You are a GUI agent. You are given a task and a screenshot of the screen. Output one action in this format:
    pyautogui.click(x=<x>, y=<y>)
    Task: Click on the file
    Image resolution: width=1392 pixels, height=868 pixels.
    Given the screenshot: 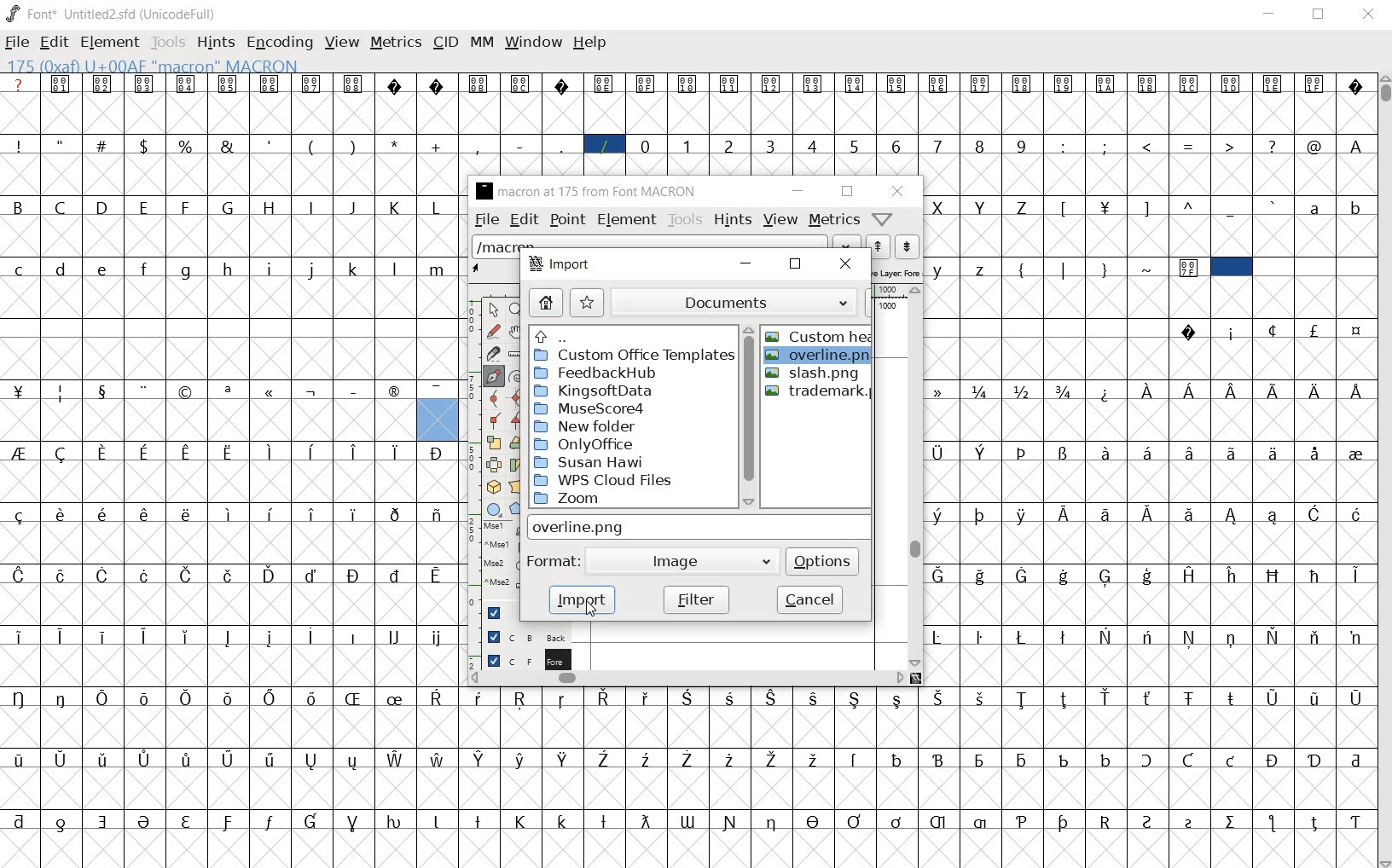 What is the action you would take?
    pyautogui.click(x=484, y=219)
    